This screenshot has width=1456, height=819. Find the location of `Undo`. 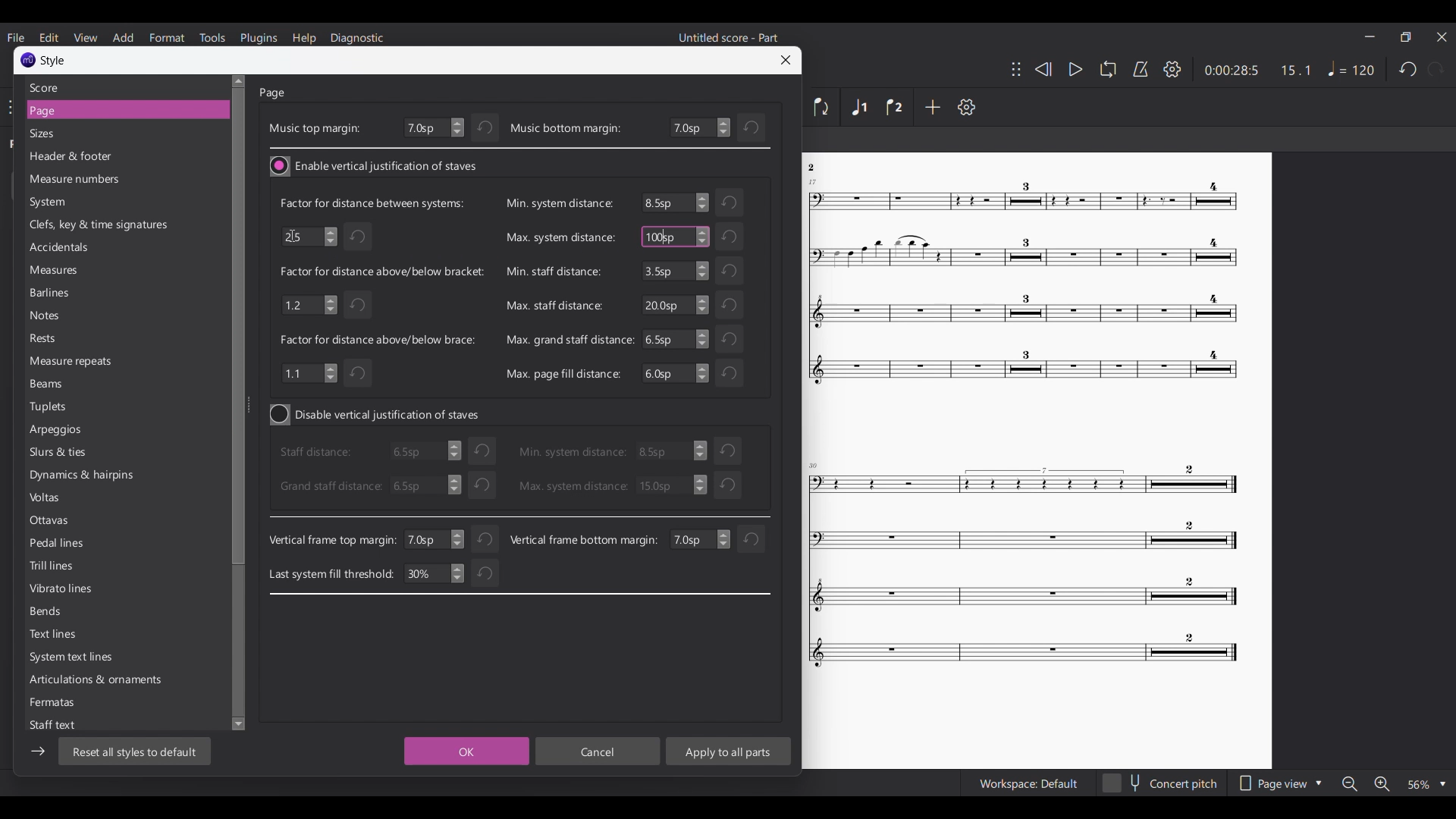

Undo is located at coordinates (731, 203).